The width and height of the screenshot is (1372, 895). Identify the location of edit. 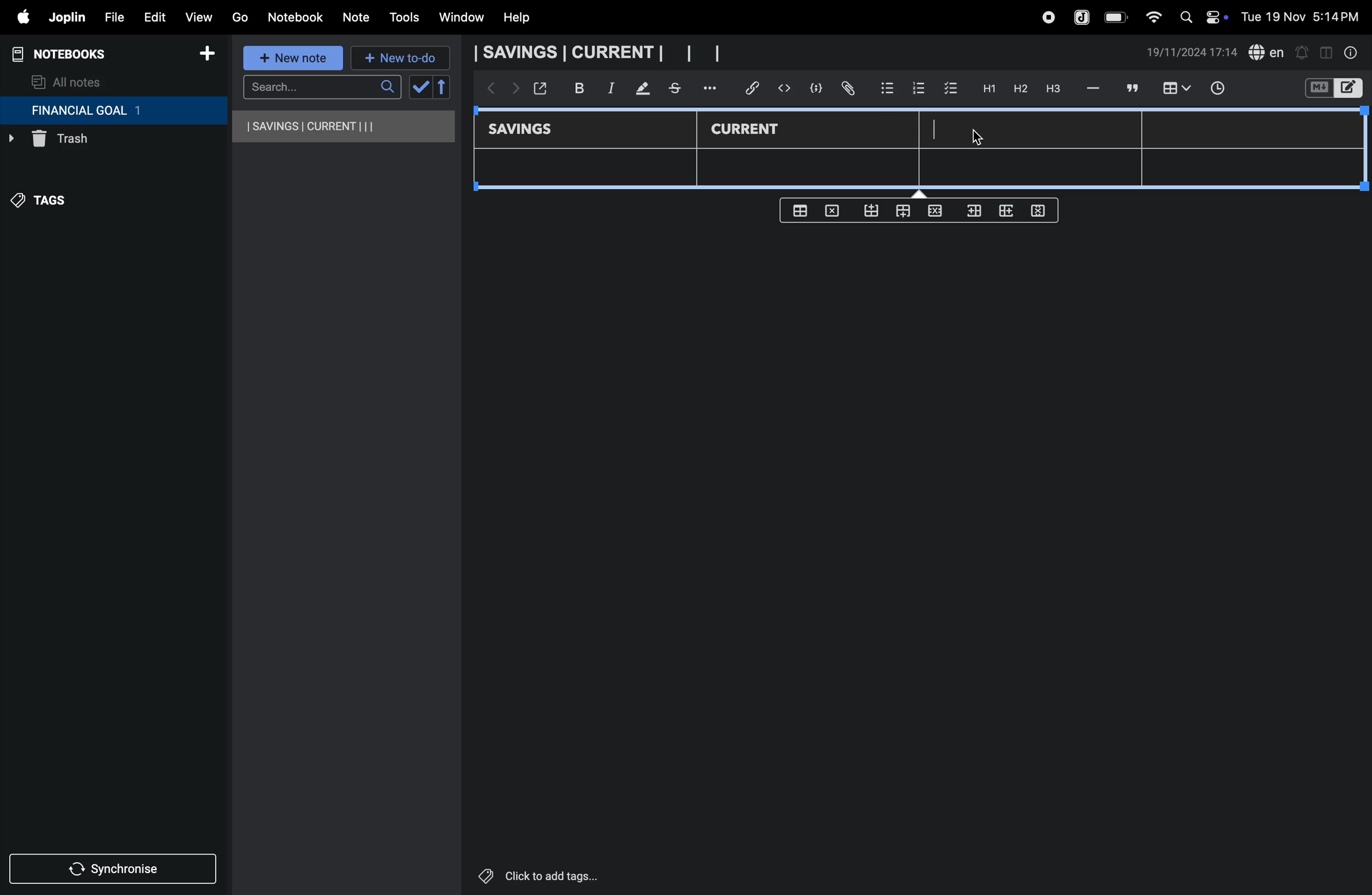
(149, 14).